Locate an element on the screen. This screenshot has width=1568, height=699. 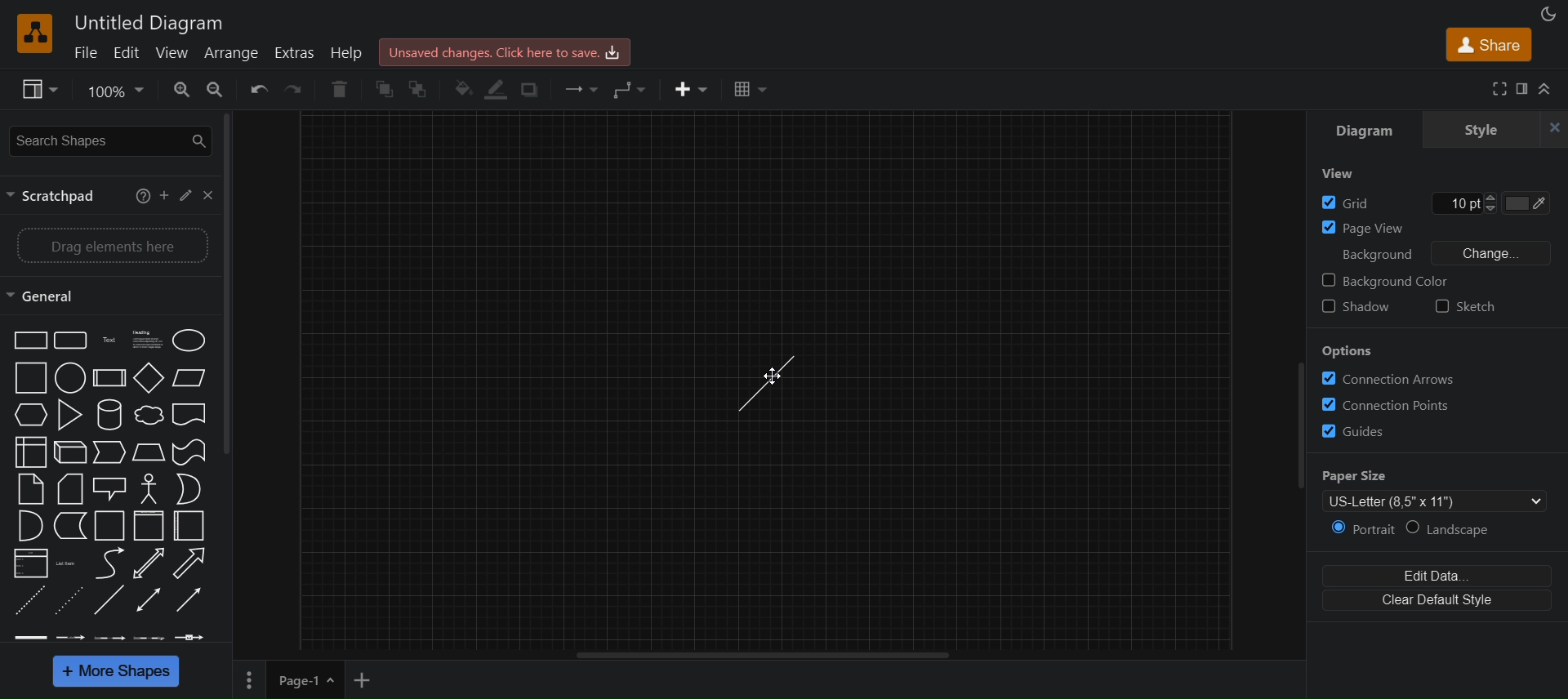
undo is located at coordinates (261, 91).